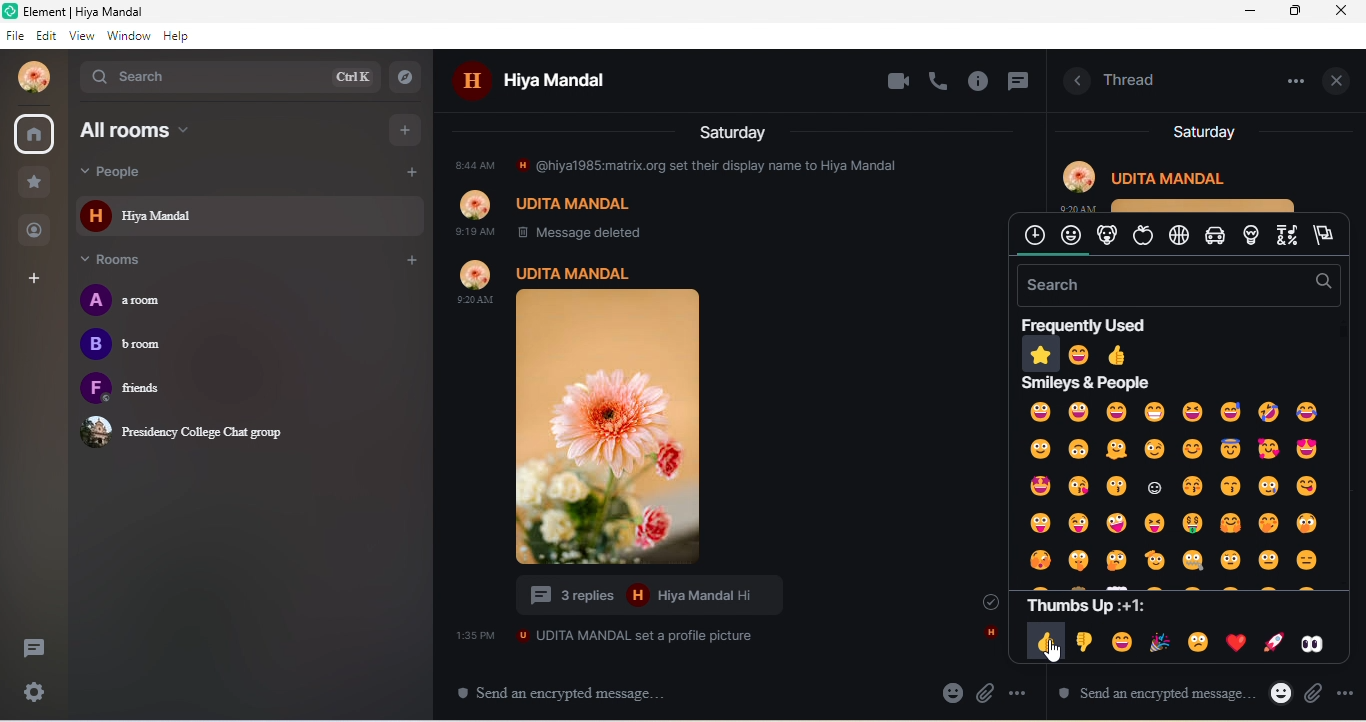  Describe the element at coordinates (987, 693) in the screenshot. I see `attachment` at that location.